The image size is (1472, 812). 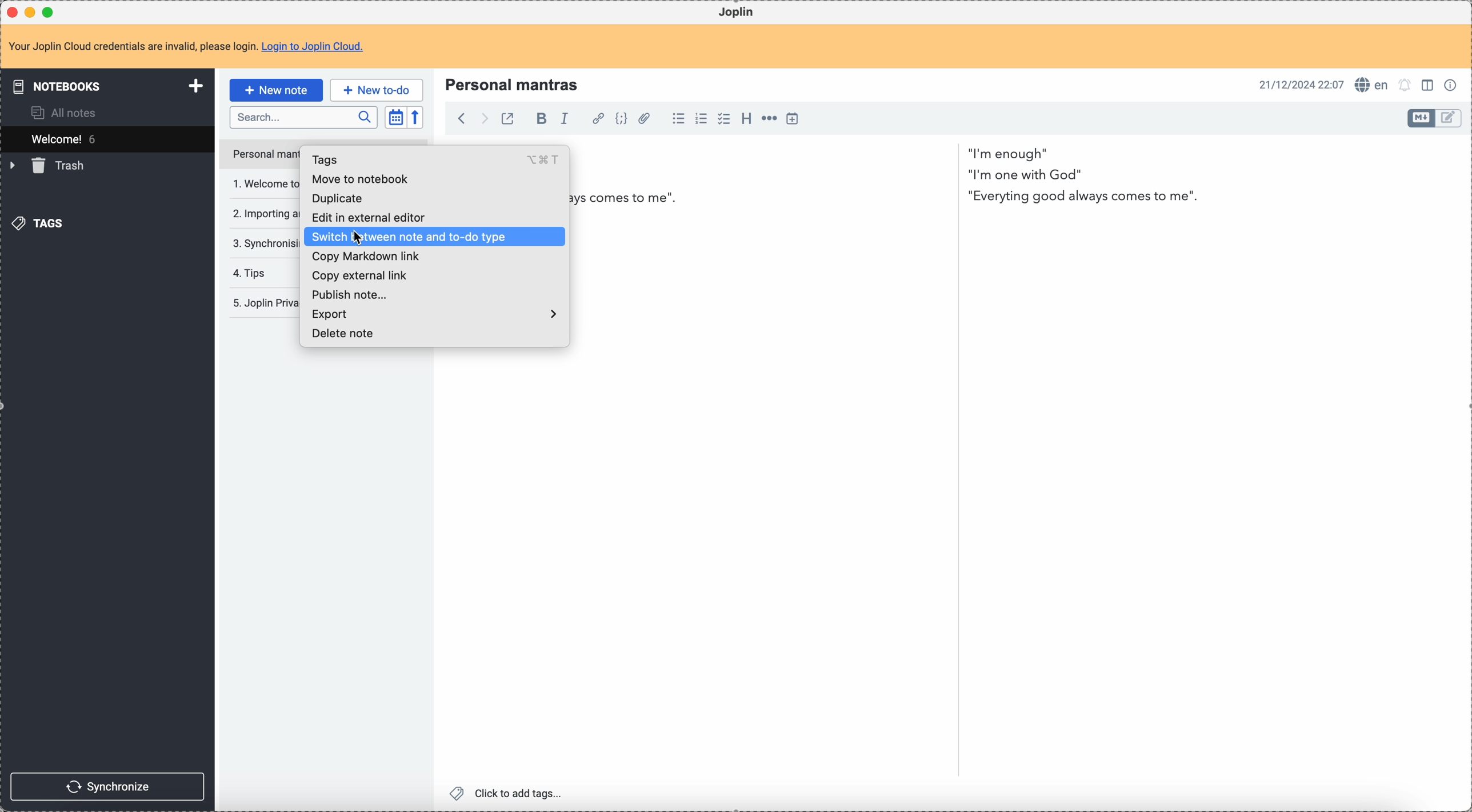 I want to click on new to-do, so click(x=375, y=87).